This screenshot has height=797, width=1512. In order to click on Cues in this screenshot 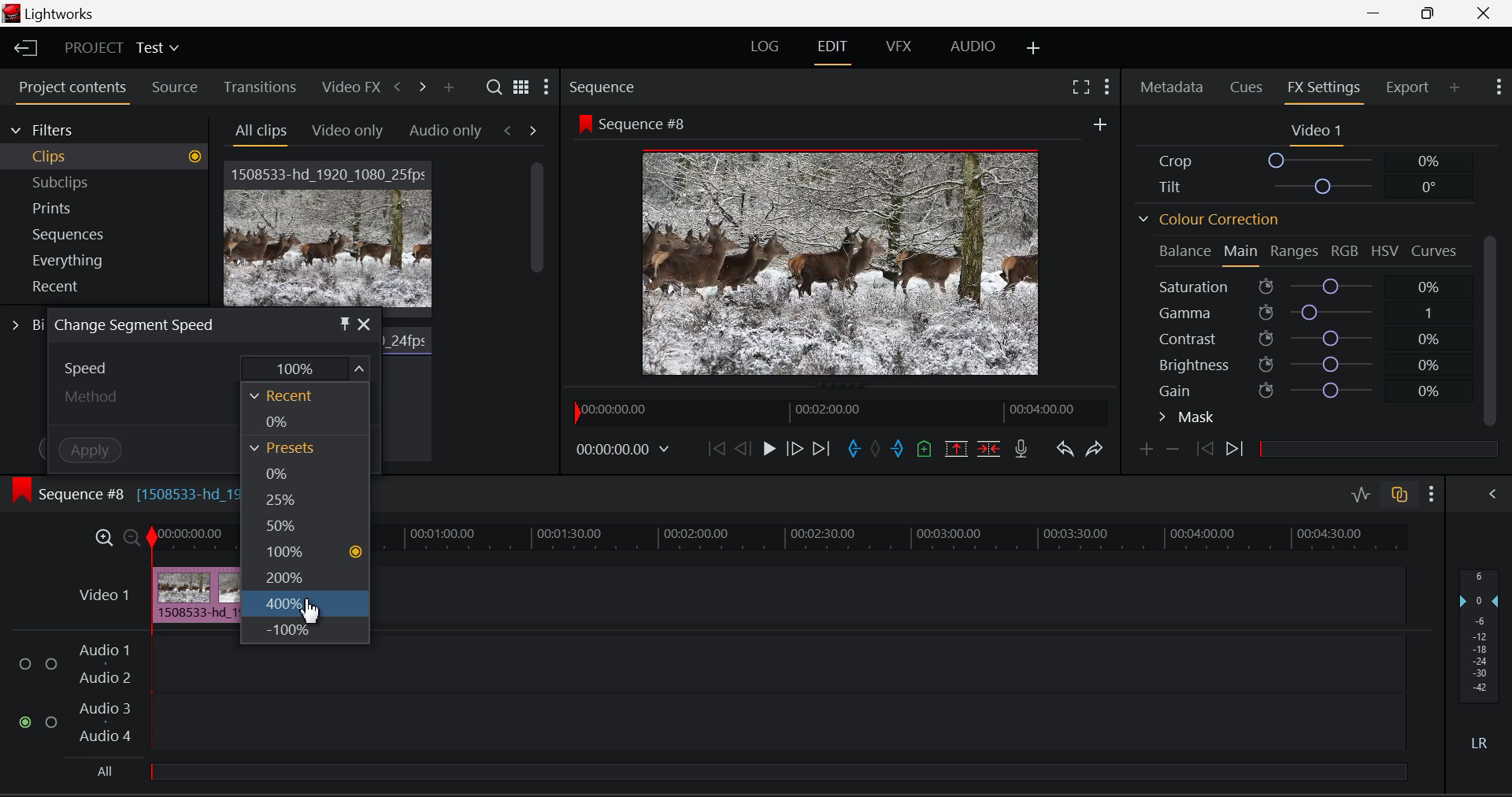, I will do `click(1247, 87)`.